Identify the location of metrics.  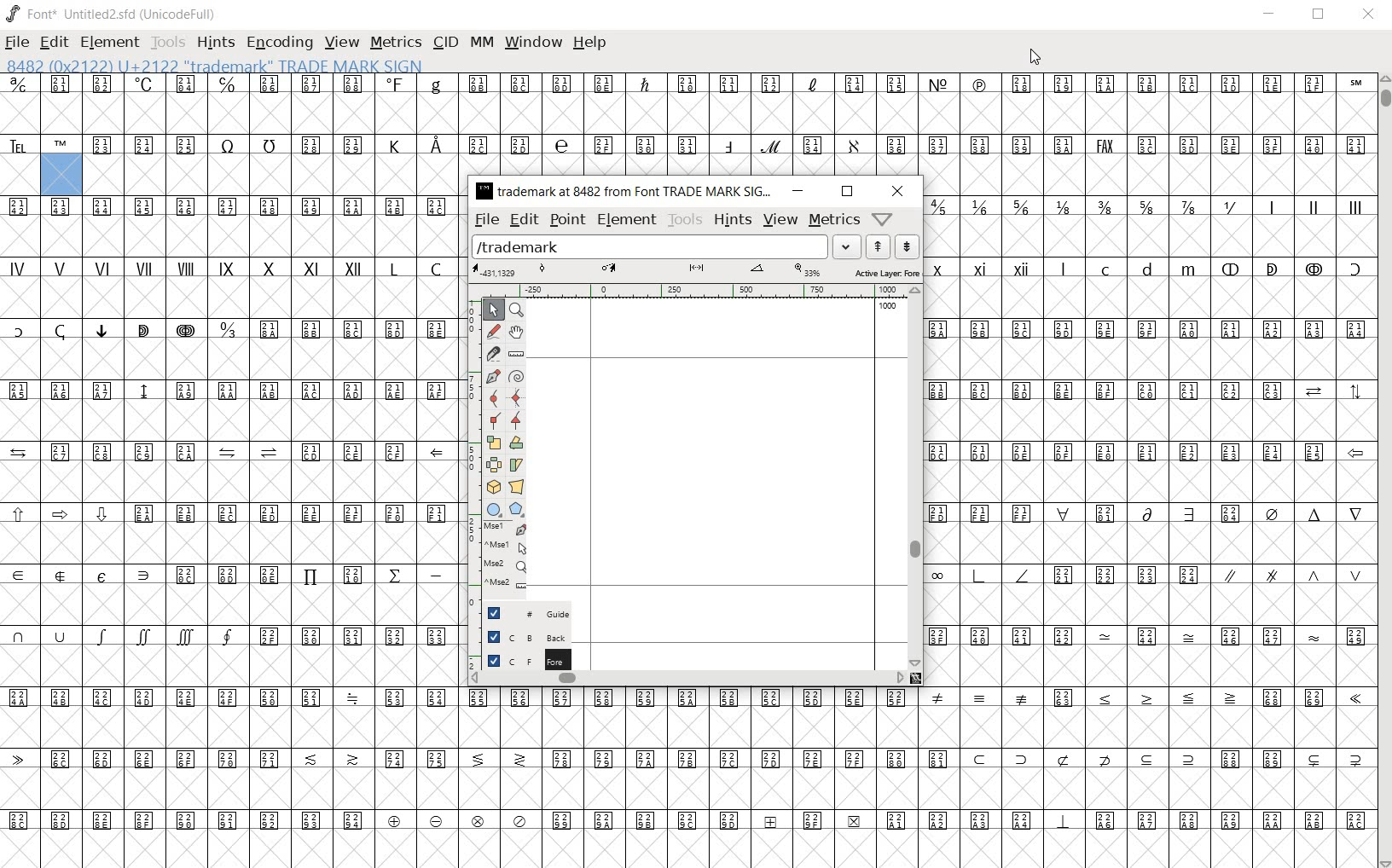
(836, 220).